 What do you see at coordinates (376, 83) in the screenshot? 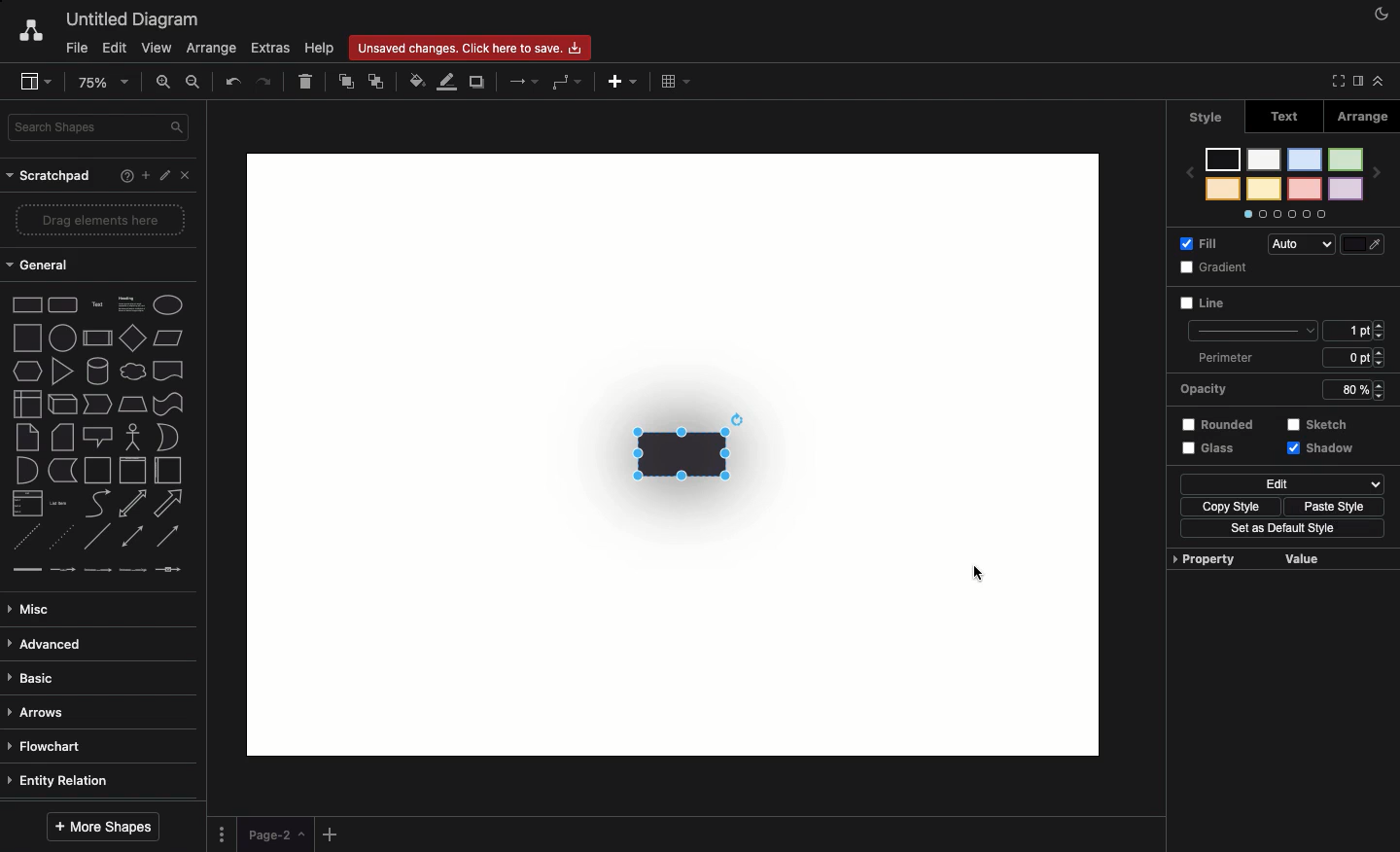
I see `To back` at bounding box center [376, 83].